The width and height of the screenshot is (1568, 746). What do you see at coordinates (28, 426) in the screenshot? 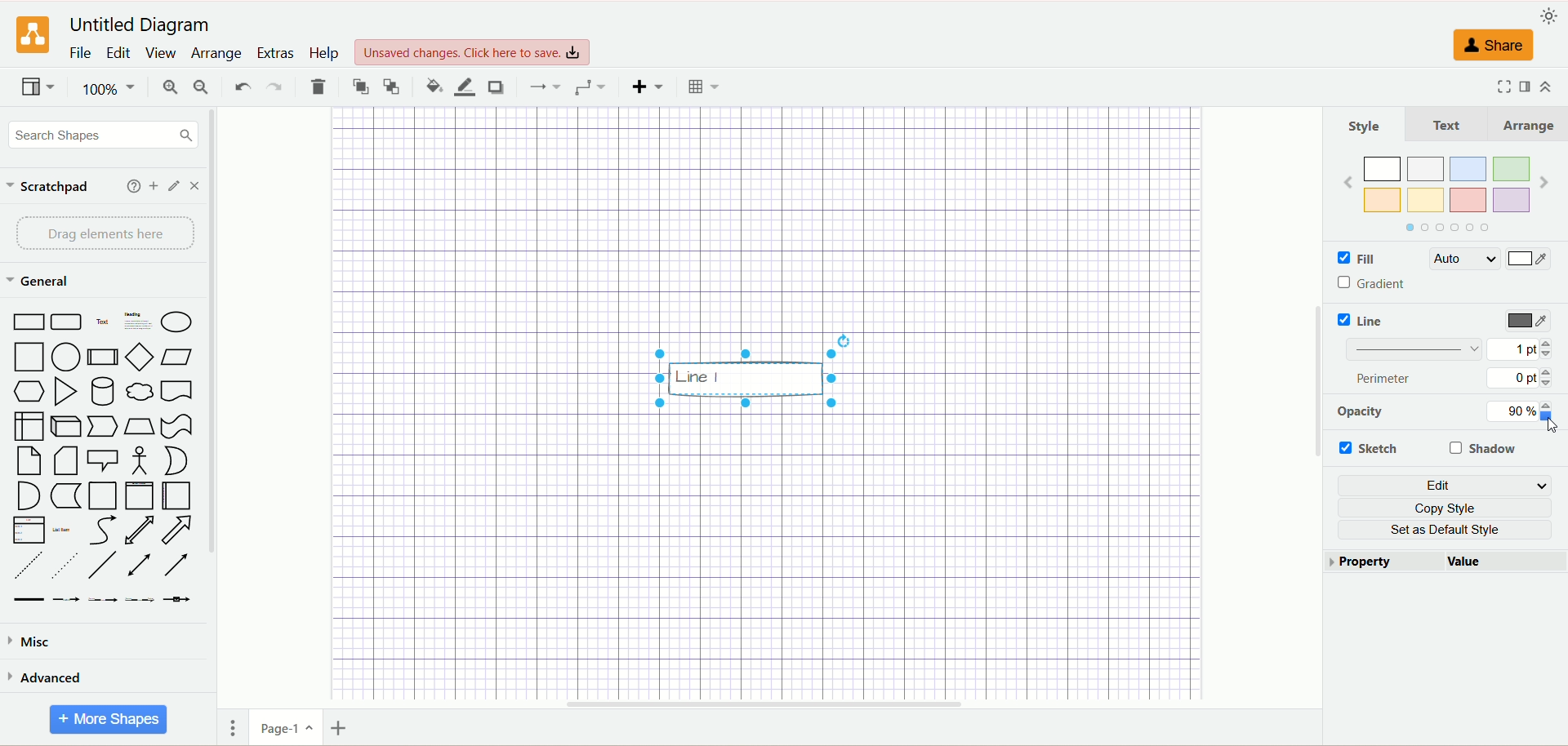
I see `Internal storage` at bounding box center [28, 426].